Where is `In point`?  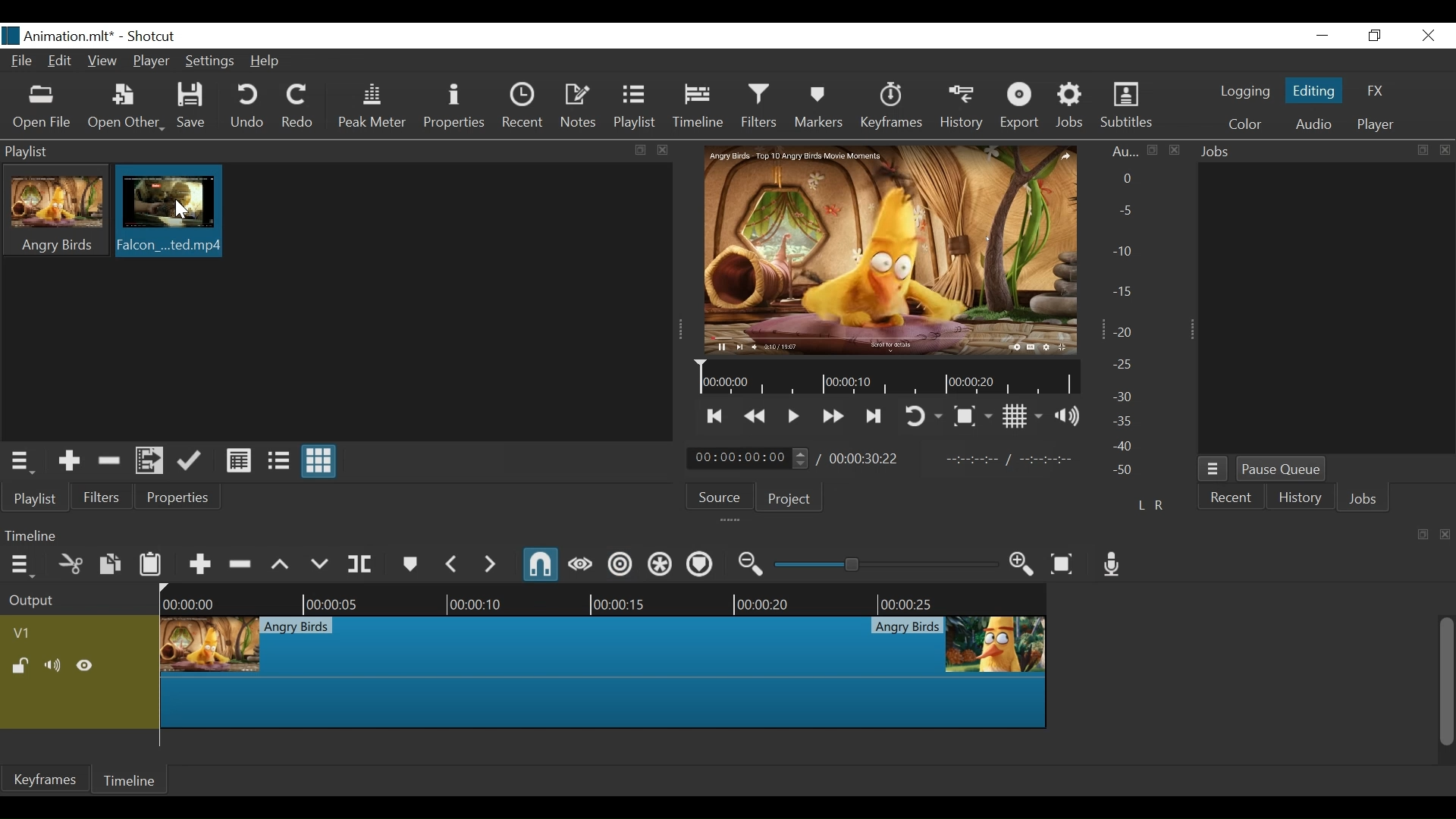
In point is located at coordinates (1012, 460).